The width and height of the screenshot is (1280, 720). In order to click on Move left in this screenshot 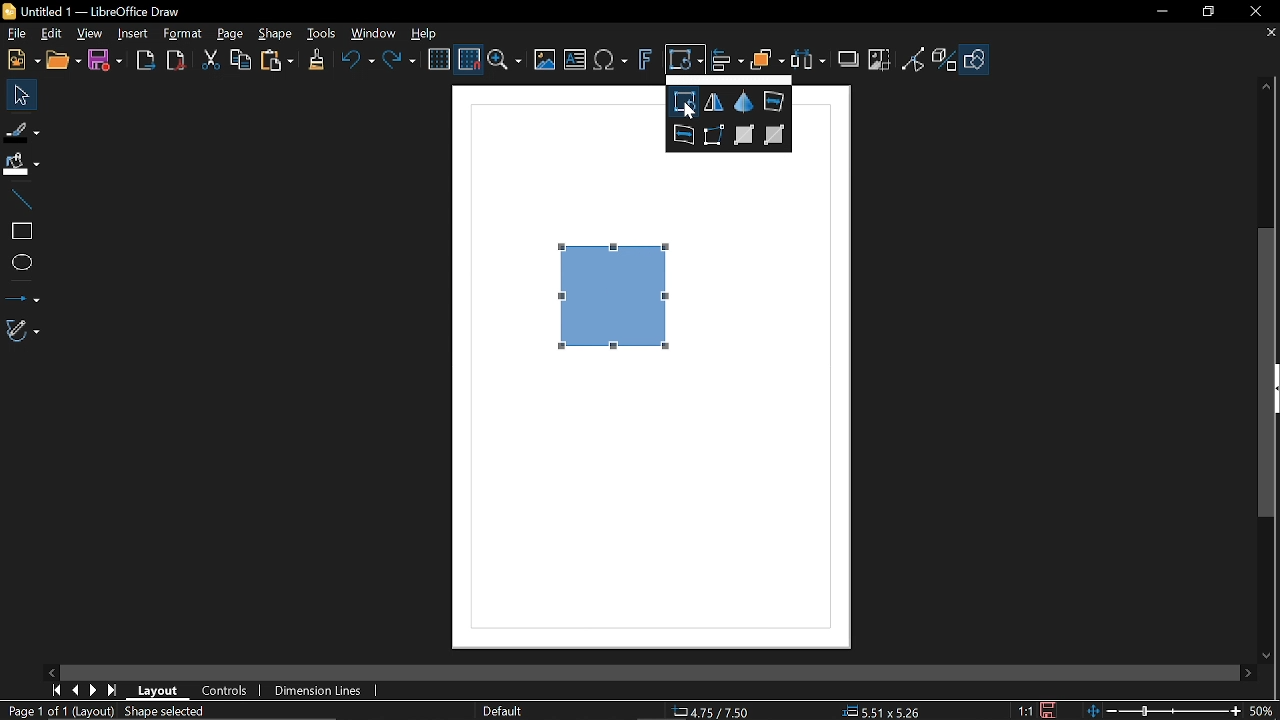, I will do `click(52, 672)`.